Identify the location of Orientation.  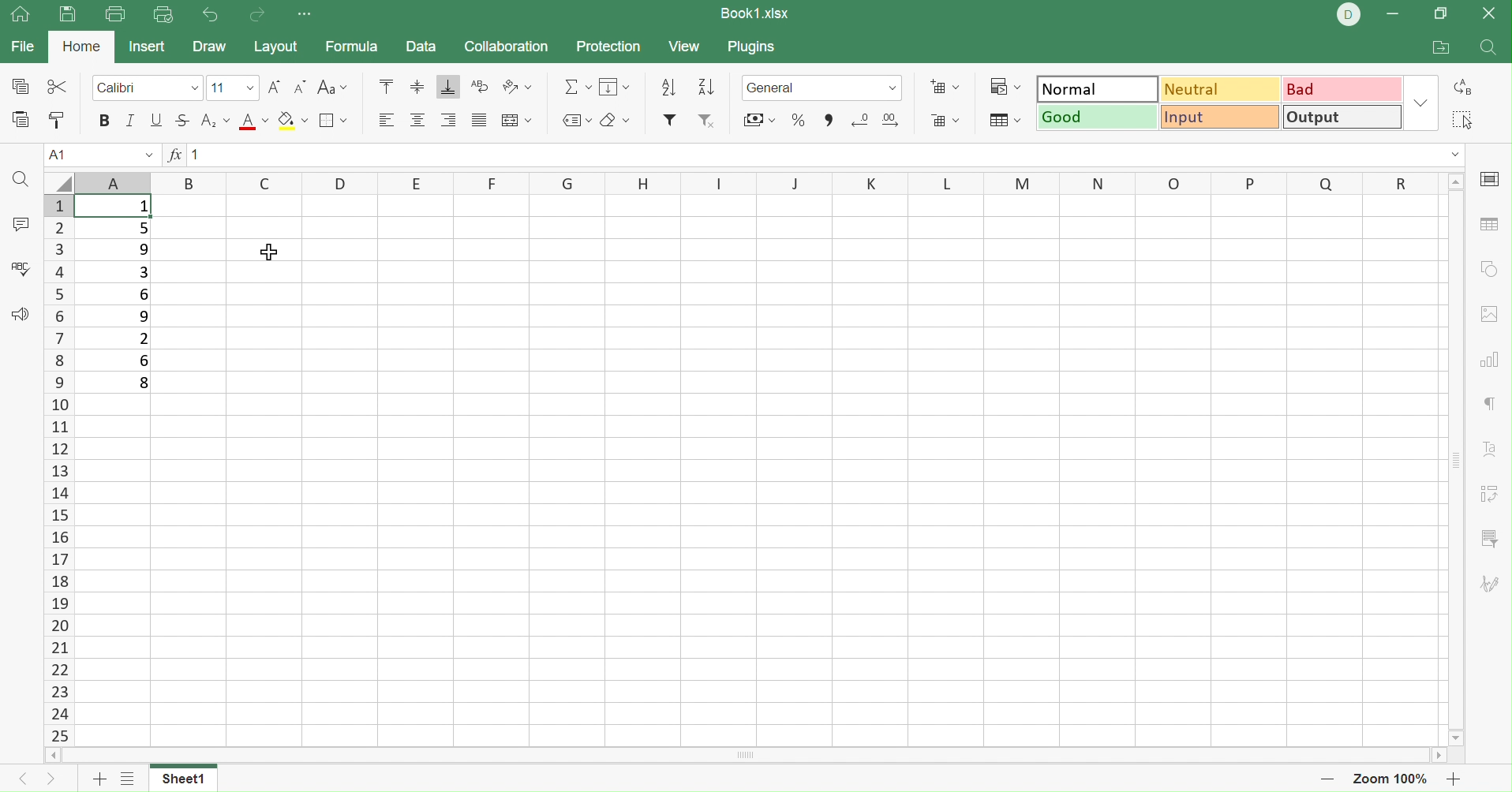
(515, 88).